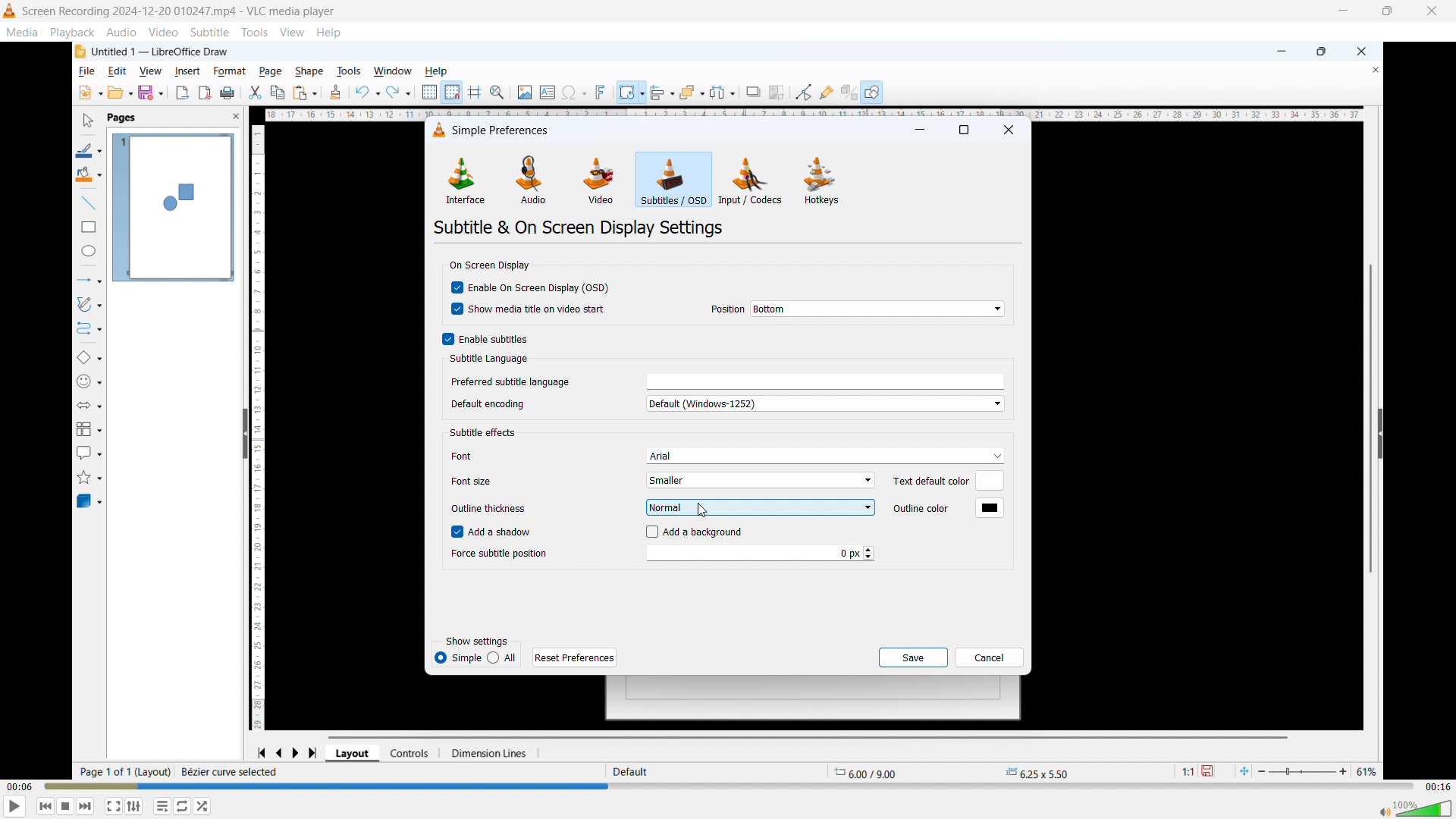 This screenshot has height=819, width=1456. I want to click on Media , so click(21, 33).